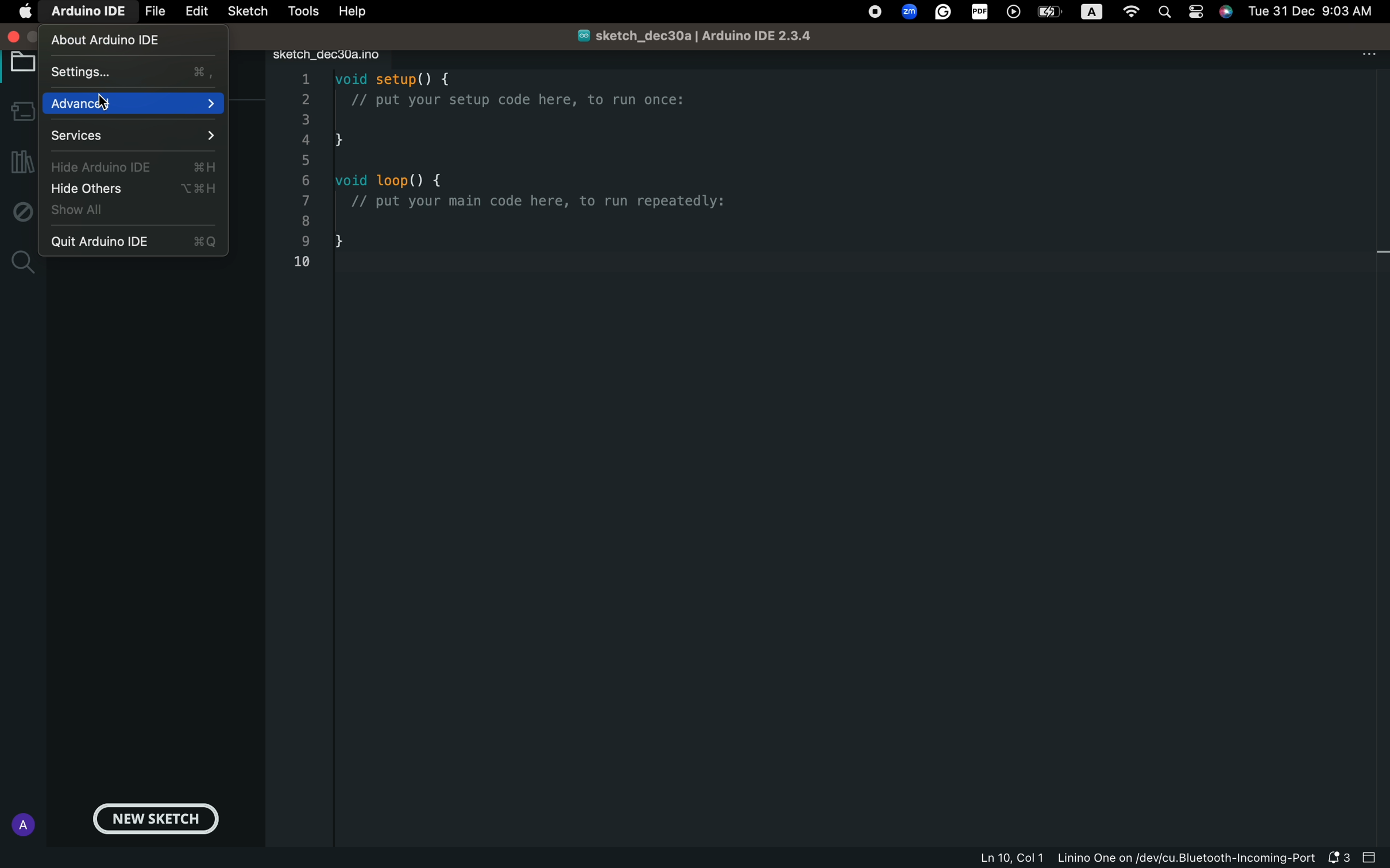  Describe the element at coordinates (1014, 12) in the screenshot. I see `Player` at that location.